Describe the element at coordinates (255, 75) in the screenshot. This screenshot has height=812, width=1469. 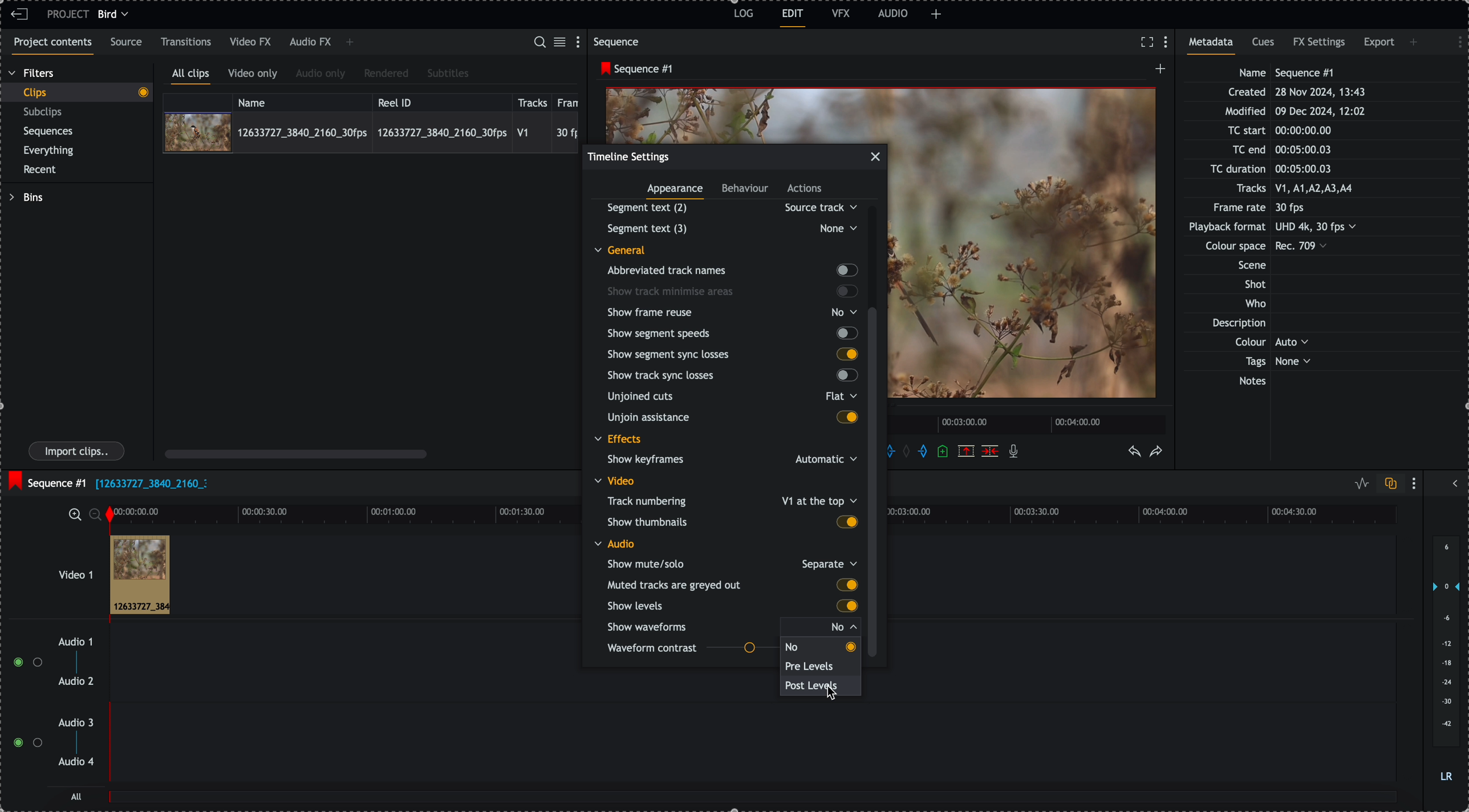
I see `video only` at that location.